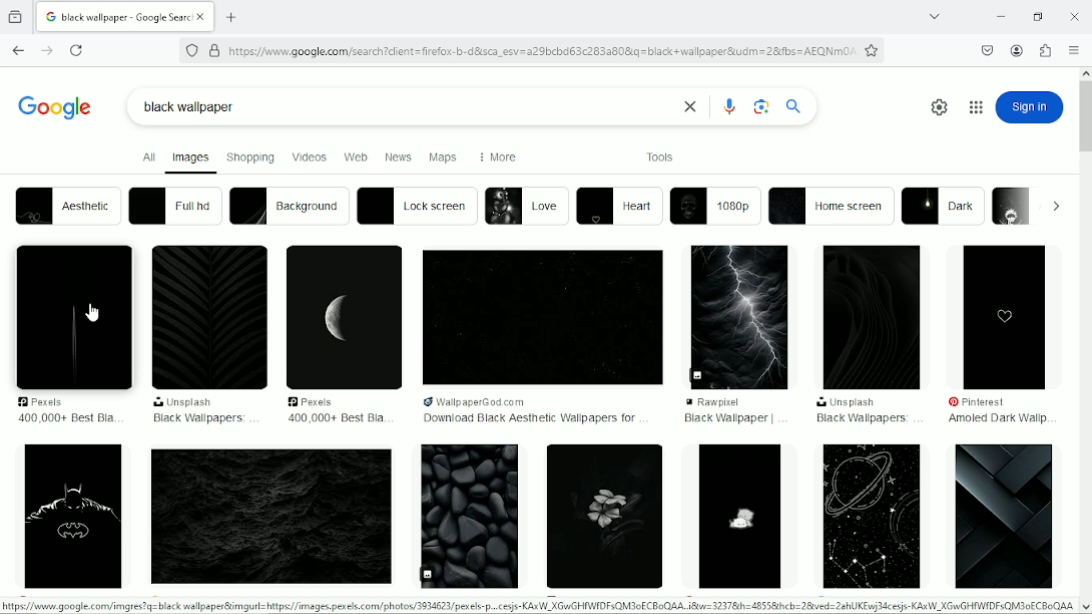 The image size is (1092, 614). Describe the element at coordinates (1085, 607) in the screenshot. I see `scroll down` at that location.